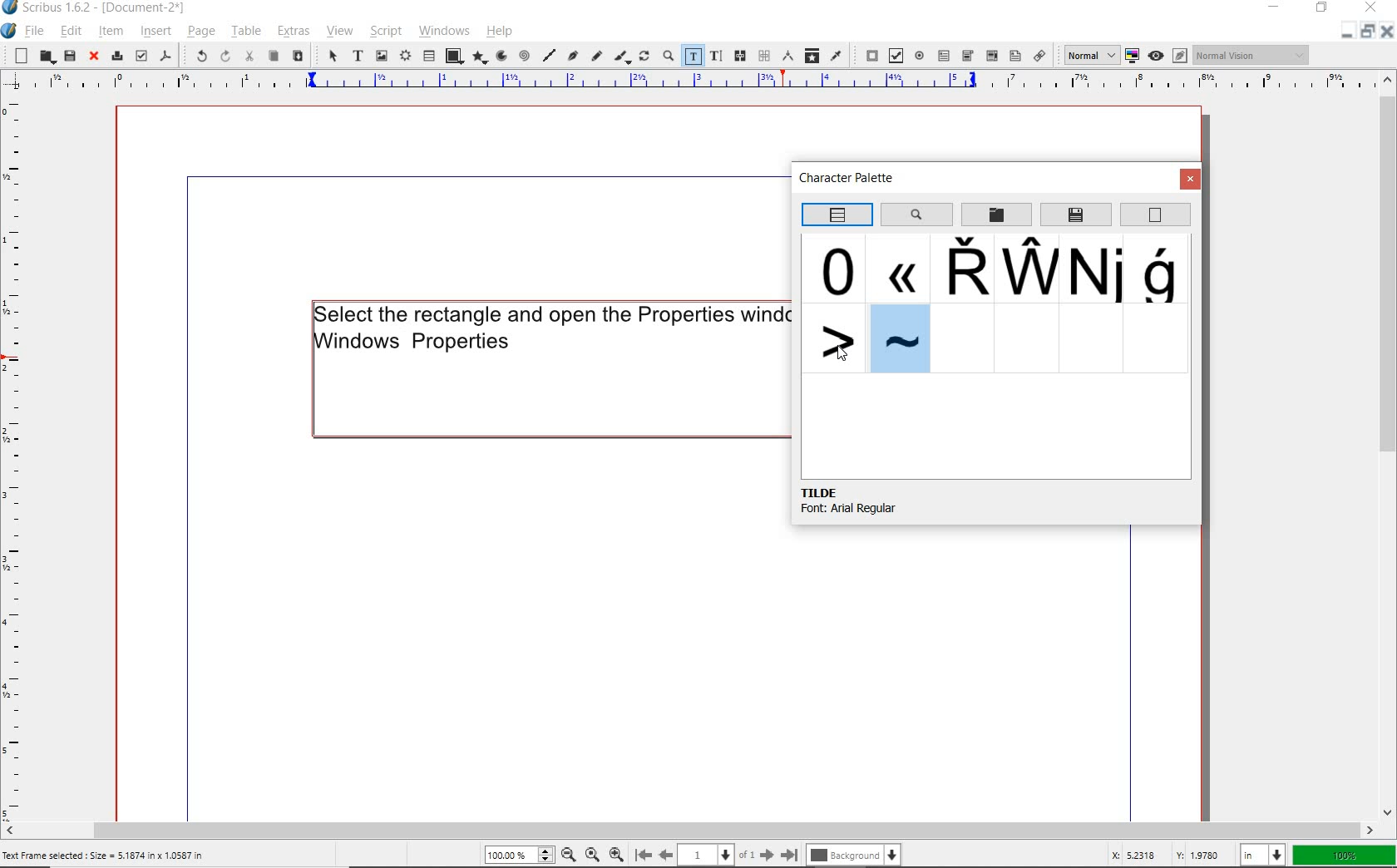  Describe the element at coordinates (1387, 35) in the screenshot. I see `close` at that location.